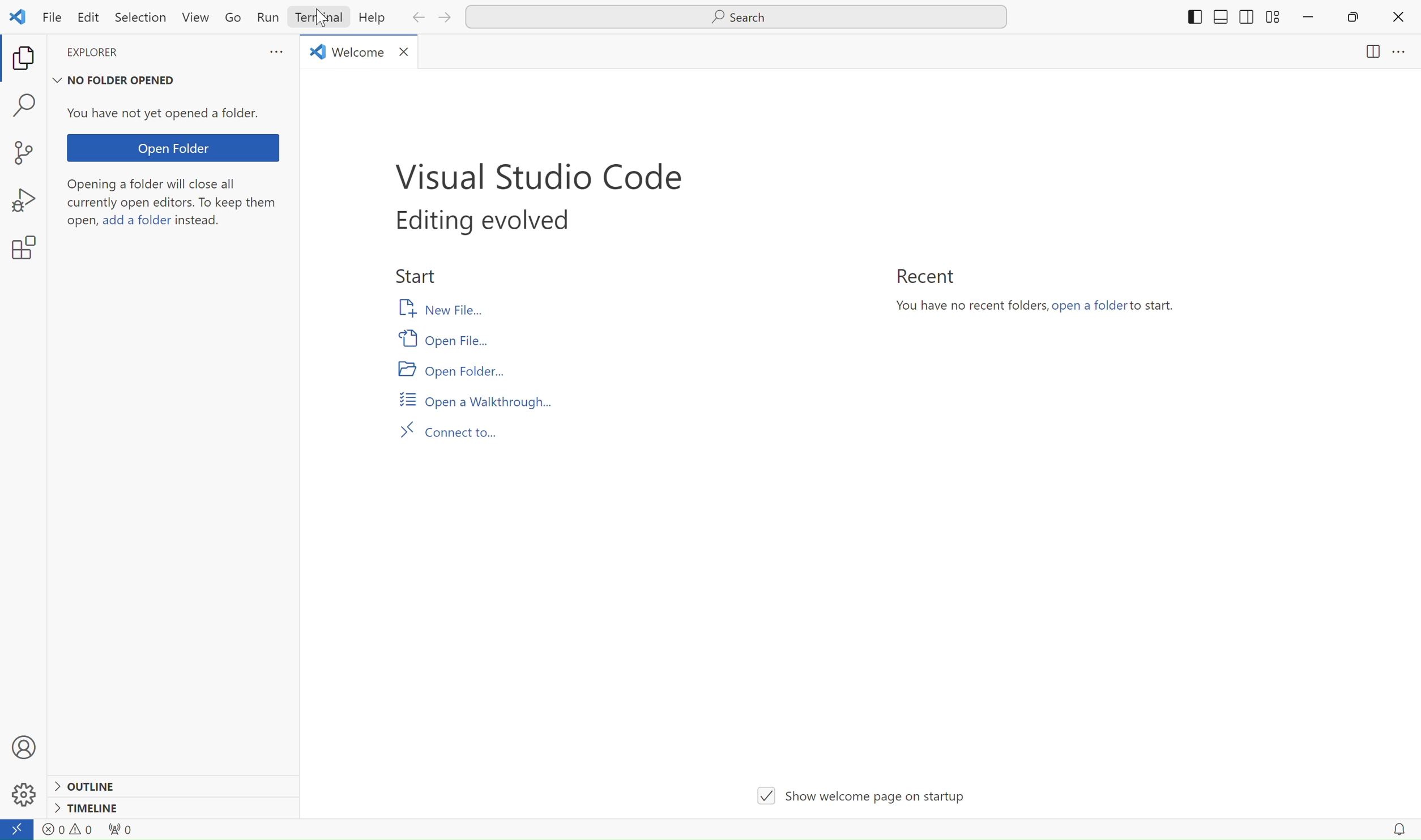 This screenshot has height=840, width=1421. What do you see at coordinates (169, 114) in the screenshot?
I see `You have not yet opened a folder` at bounding box center [169, 114].